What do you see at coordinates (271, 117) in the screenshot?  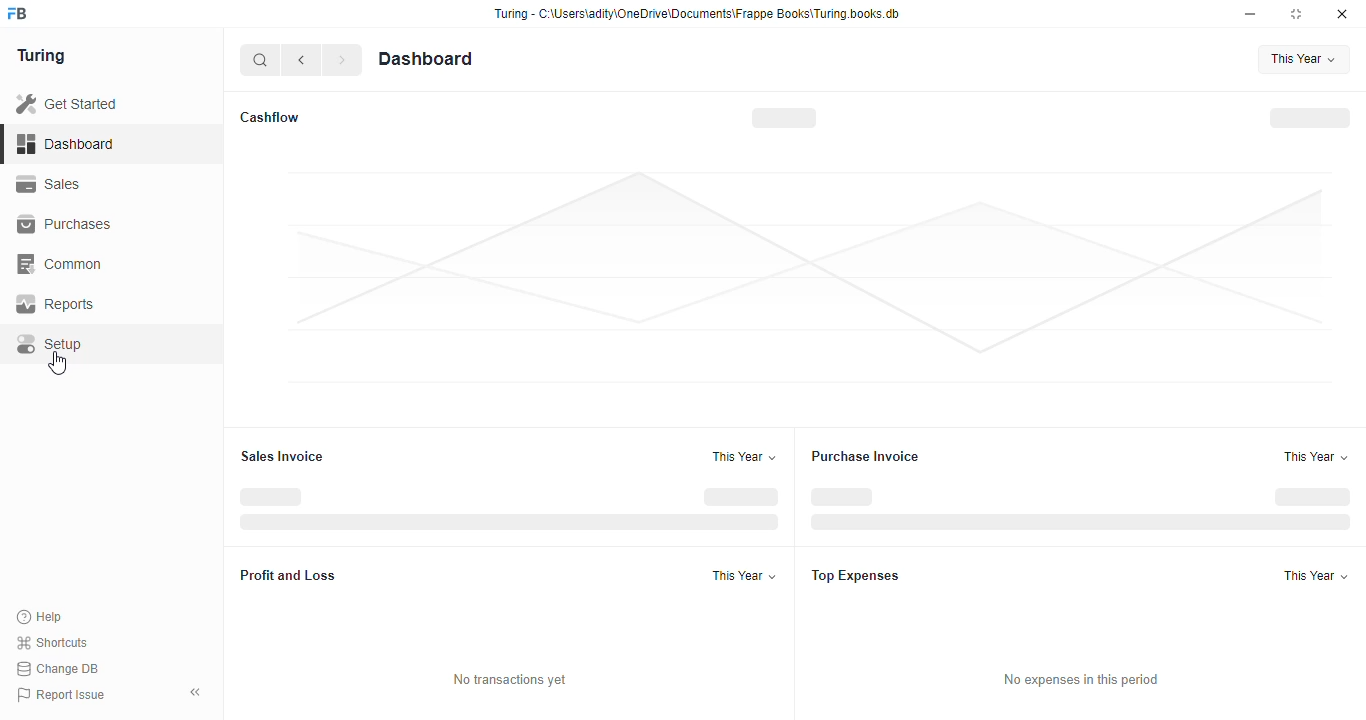 I see `Cashflow` at bounding box center [271, 117].